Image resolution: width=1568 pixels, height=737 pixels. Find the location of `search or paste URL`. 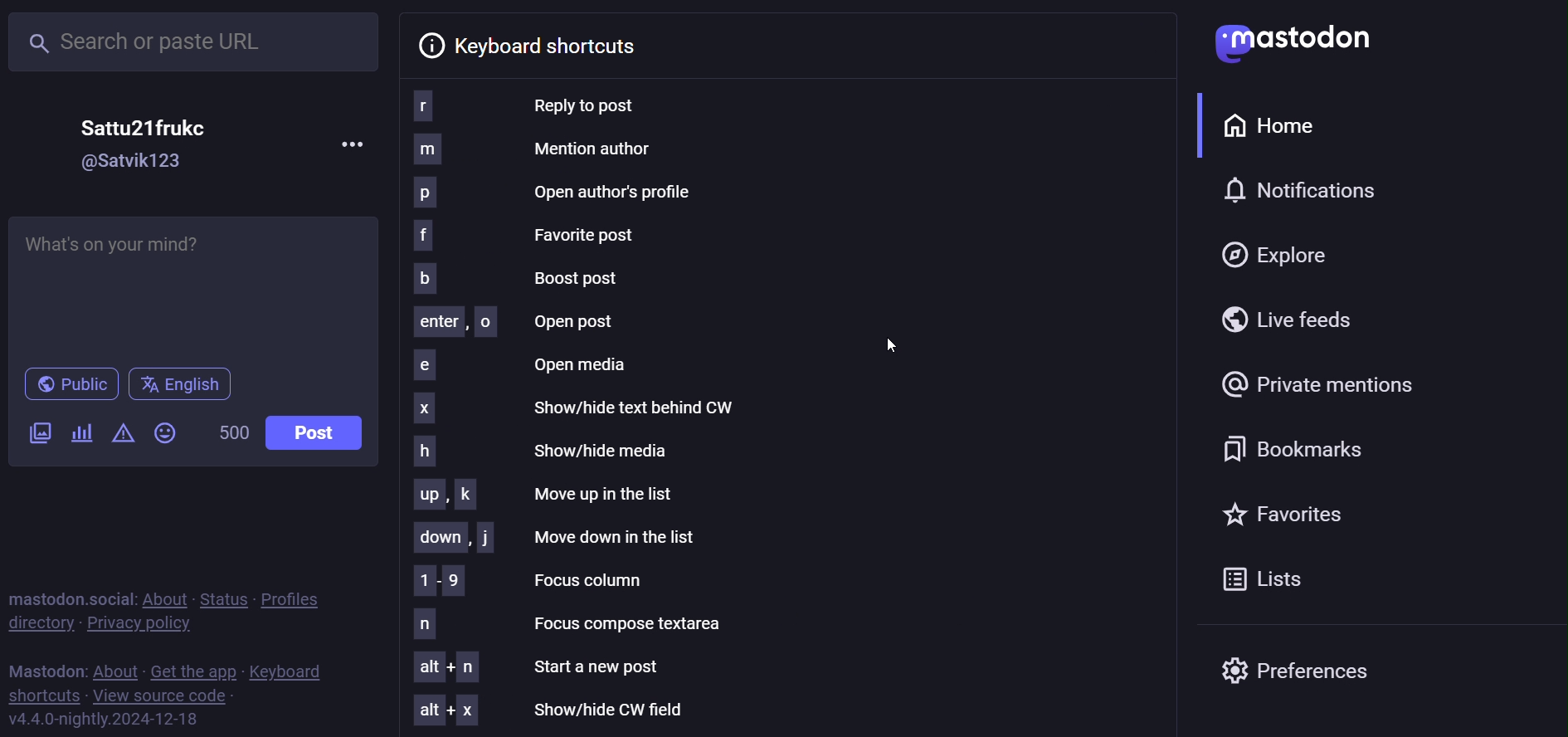

search or paste URL is located at coordinates (194, 40).